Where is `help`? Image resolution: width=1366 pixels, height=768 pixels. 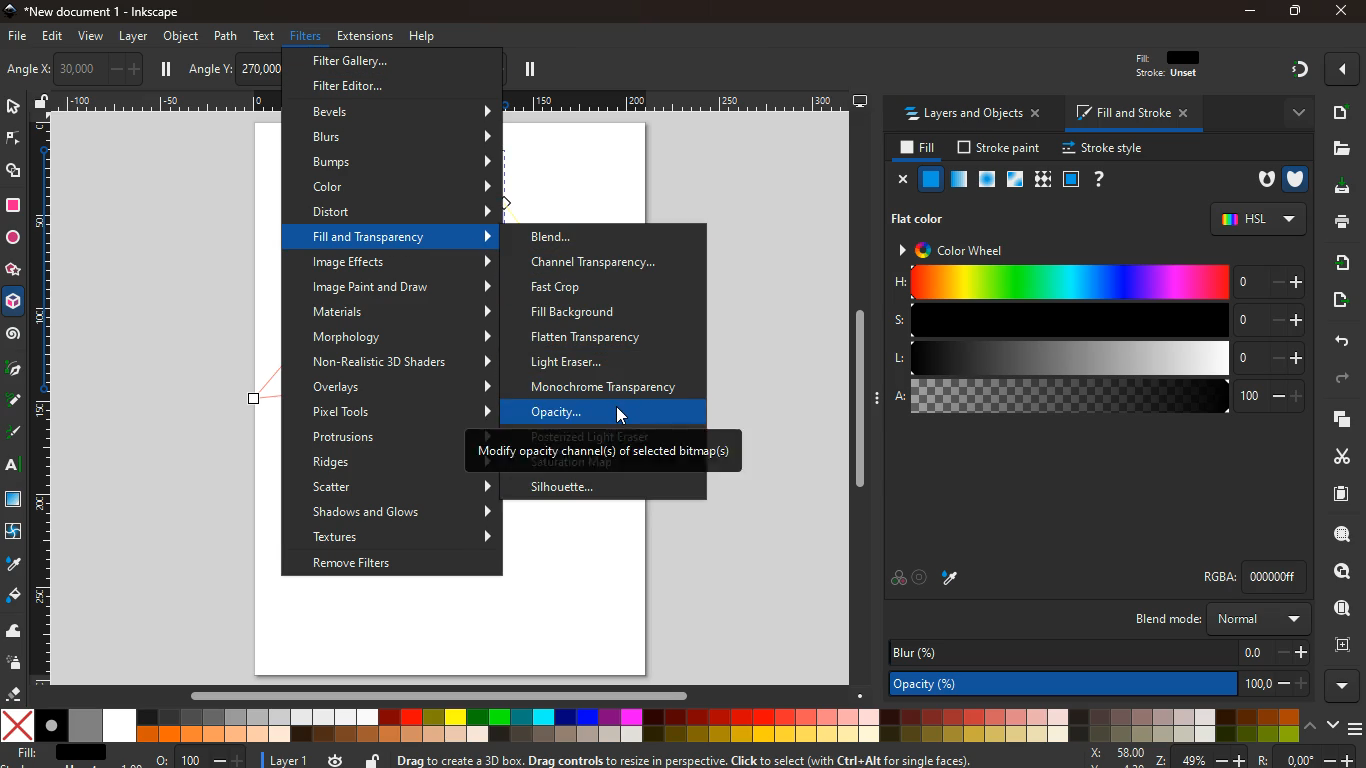 help is located at coordinates (424, 34).